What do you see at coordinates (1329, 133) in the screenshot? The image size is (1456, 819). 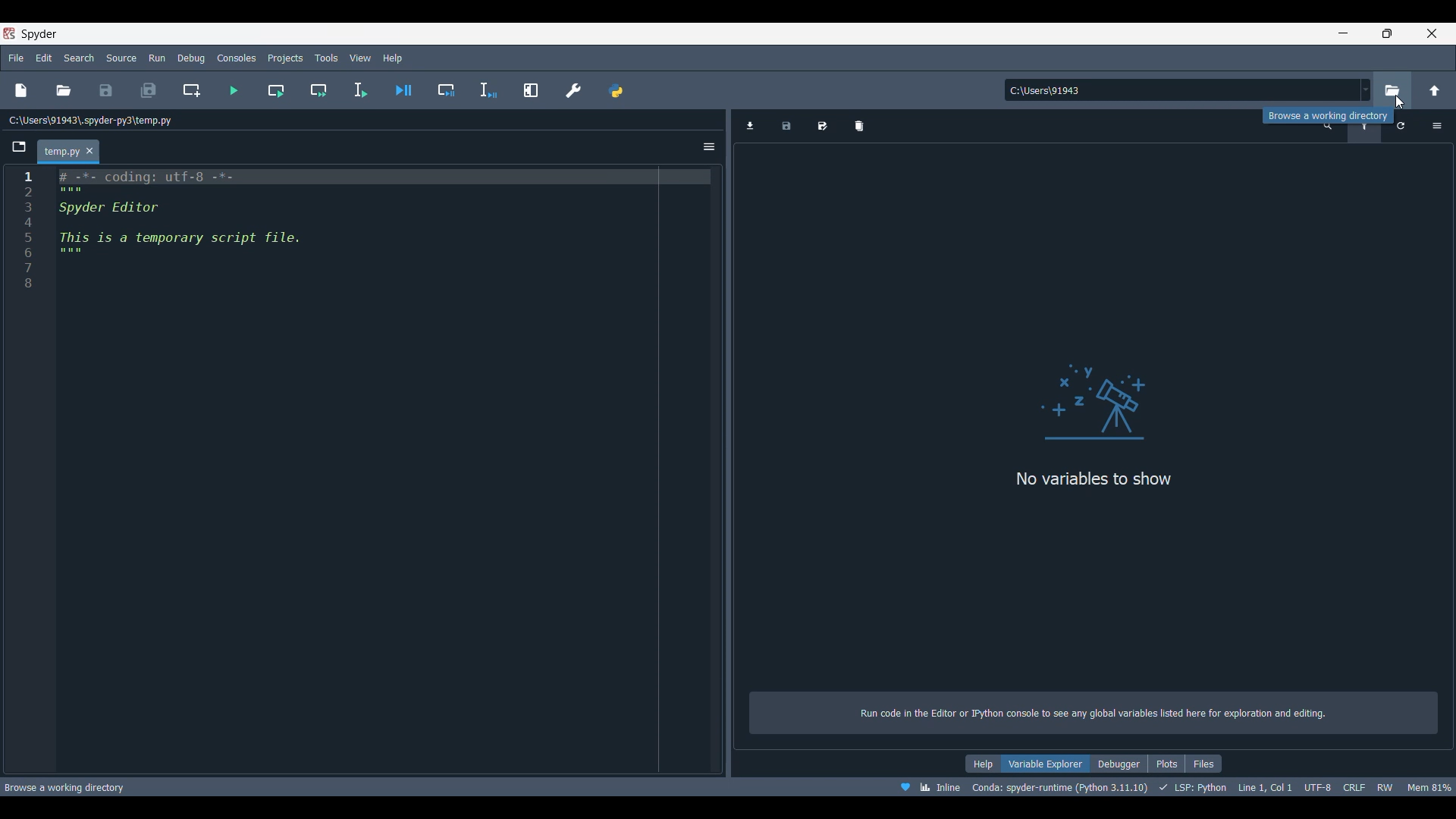 I see `Search variable by names and types` at bounding box center [1329, 133].